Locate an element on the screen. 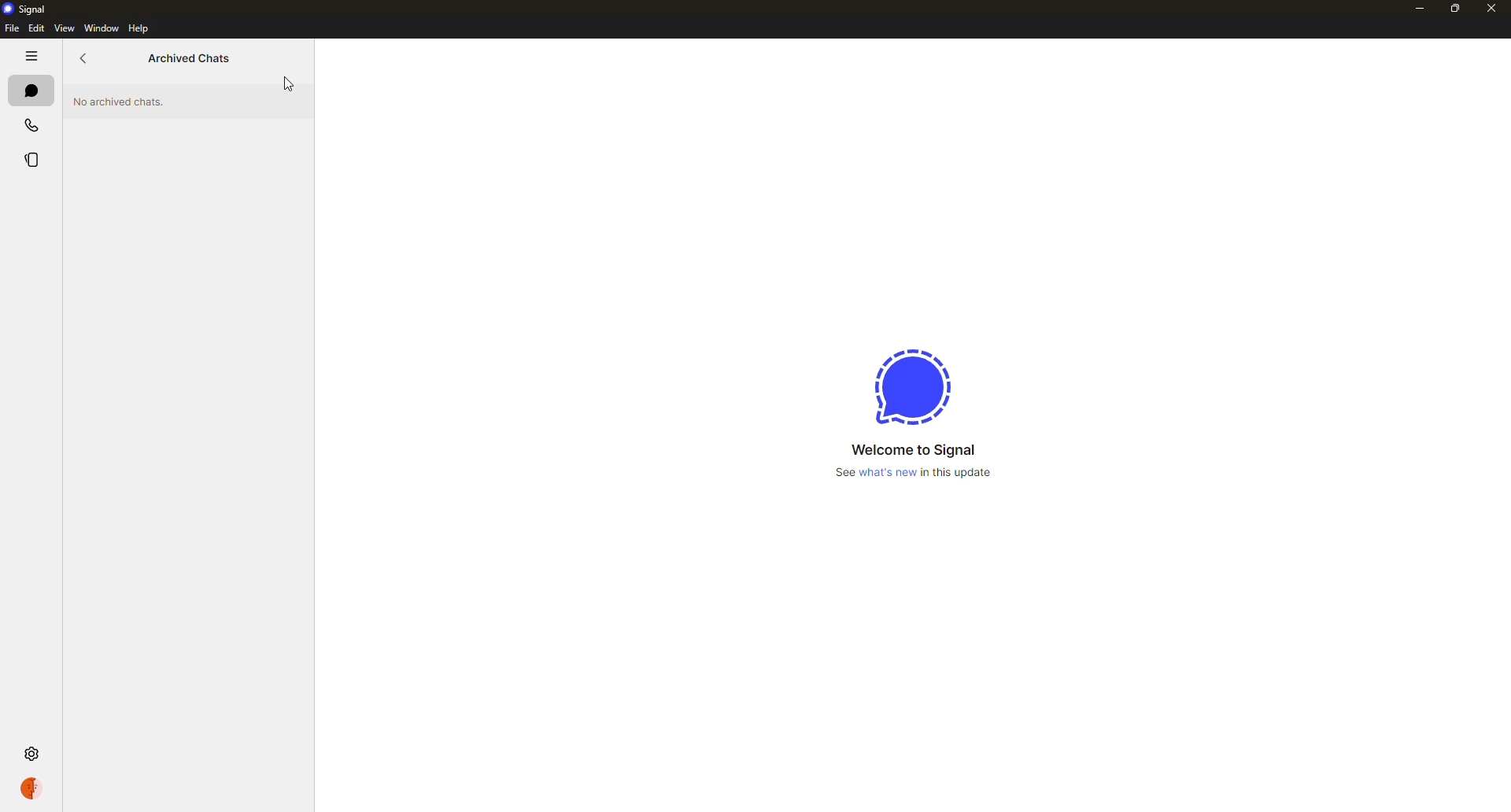 Image resolution: width=1511 pixels, height=812 pixels. help is located at coordinates (141, 28).